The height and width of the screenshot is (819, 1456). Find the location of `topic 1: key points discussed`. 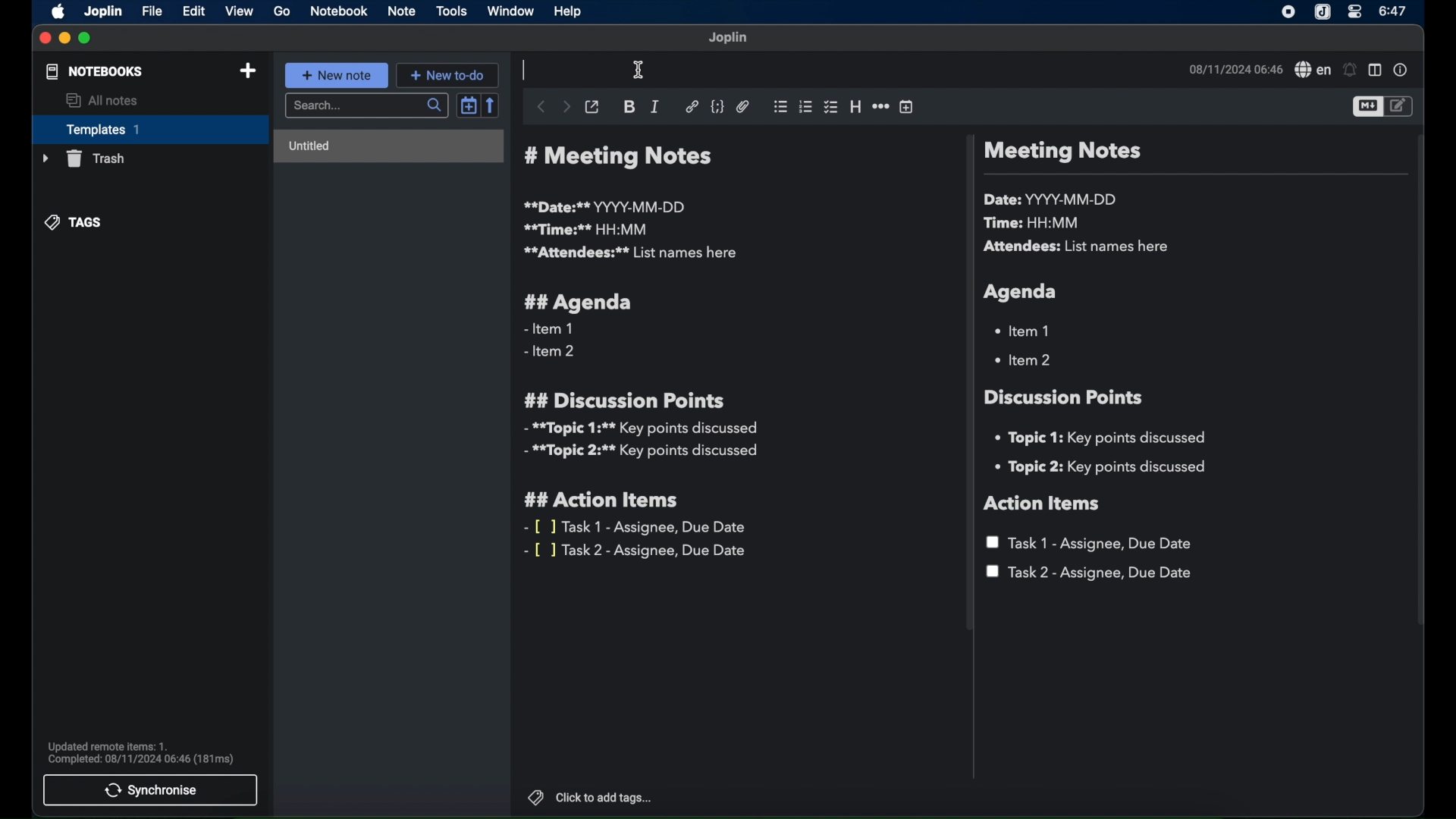

topic 1: key points discussed is located at coordinates (1106, 438).